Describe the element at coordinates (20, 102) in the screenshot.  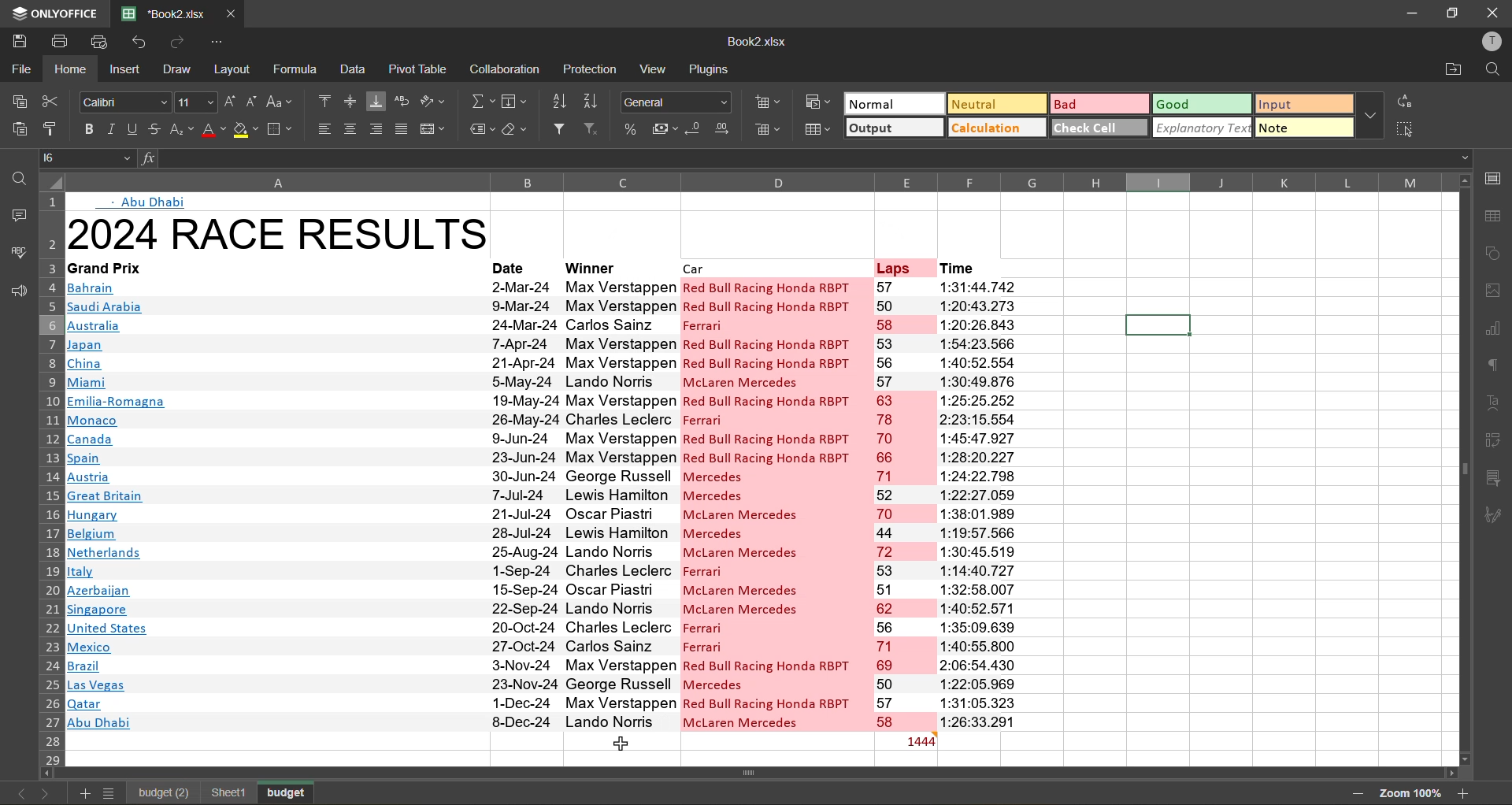
I see `copy` at that location.